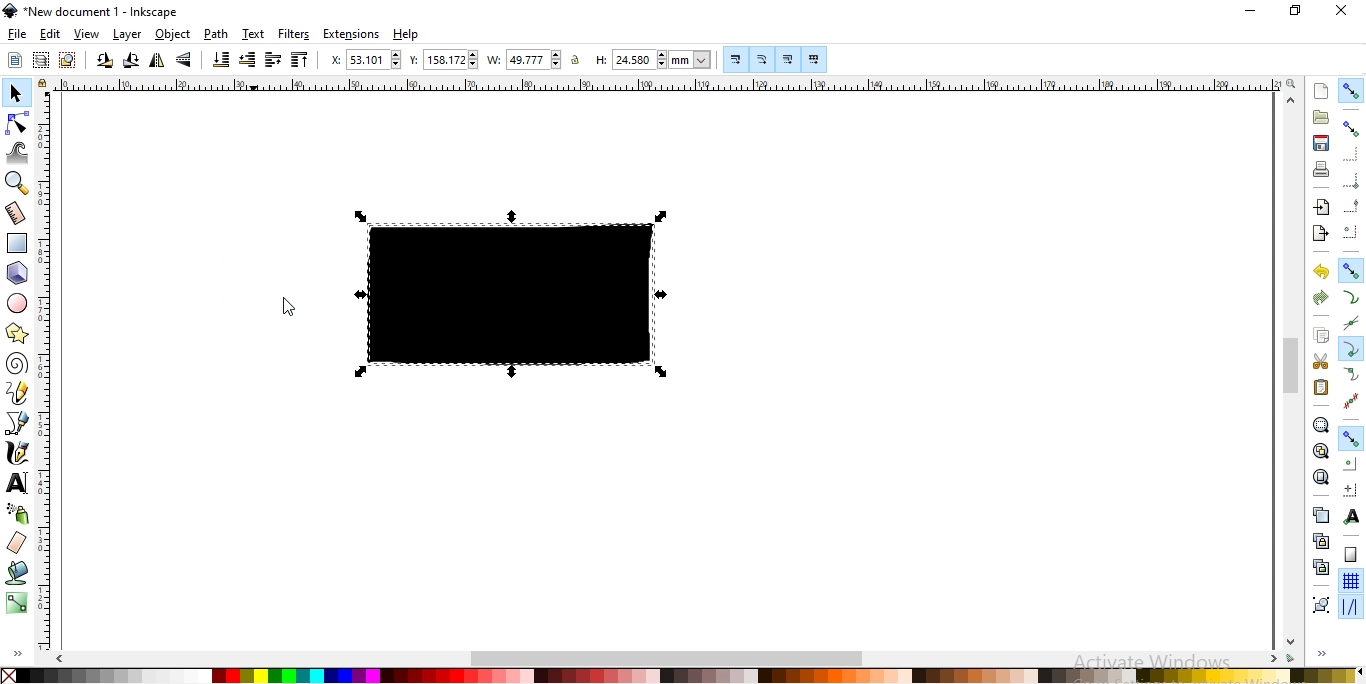  Describe the element at coordinates (668, 660) in the screenshot. I see `scrollbar` at that location.